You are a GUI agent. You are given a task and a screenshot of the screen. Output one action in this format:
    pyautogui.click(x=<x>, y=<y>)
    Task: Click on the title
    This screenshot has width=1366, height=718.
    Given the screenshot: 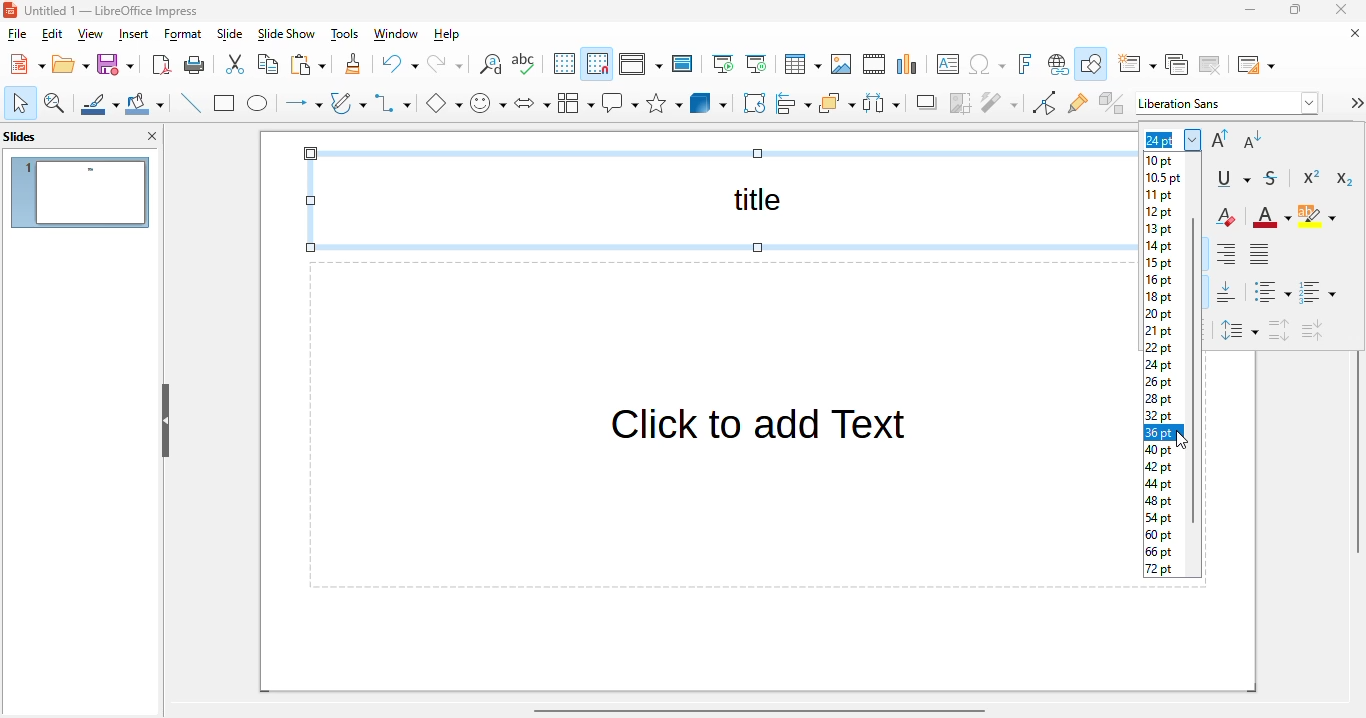 What is the action you would take?
    pyautogui.click(x=715, y=201)
    